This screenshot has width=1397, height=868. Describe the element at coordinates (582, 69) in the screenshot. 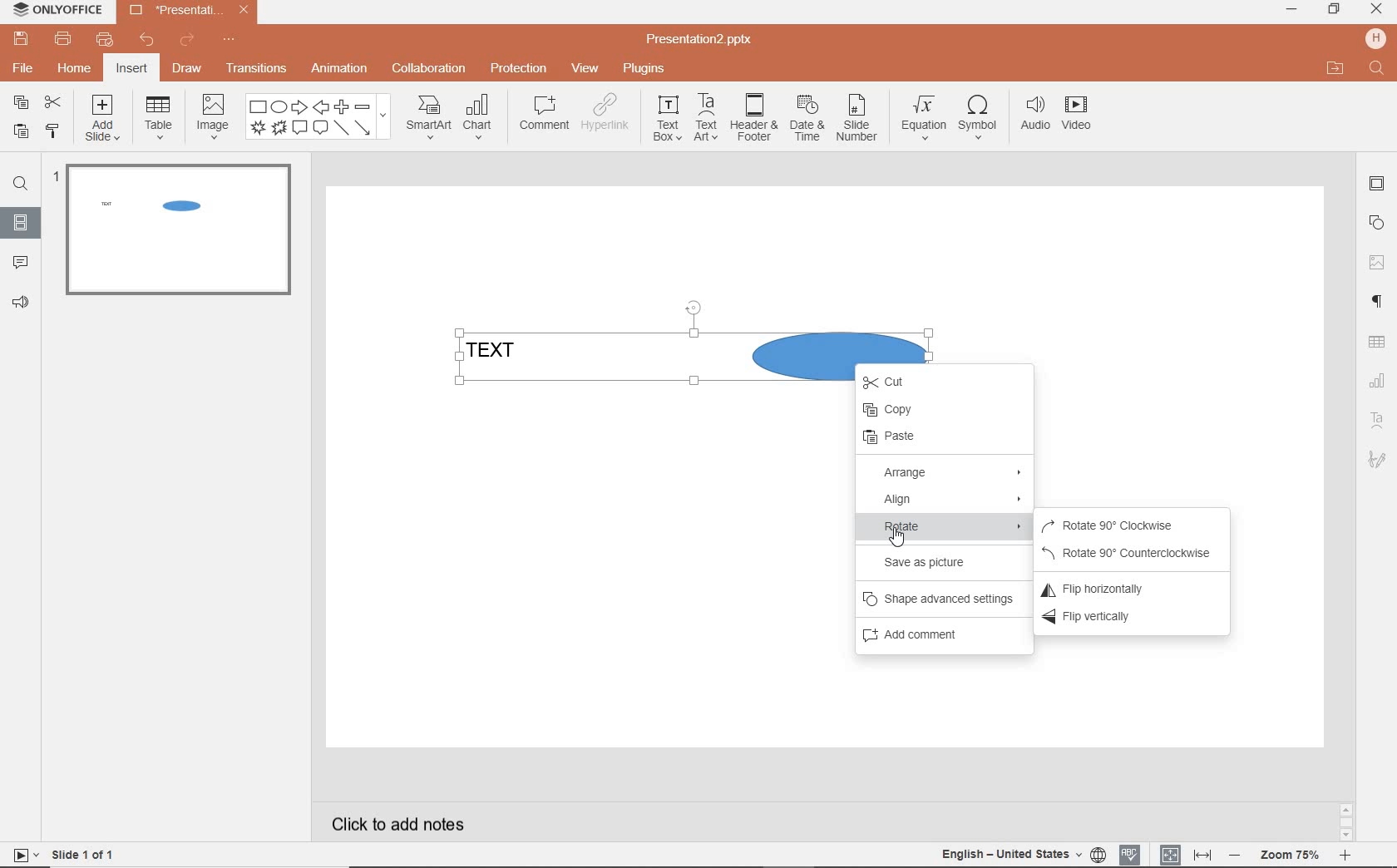

I see `view` at that location.